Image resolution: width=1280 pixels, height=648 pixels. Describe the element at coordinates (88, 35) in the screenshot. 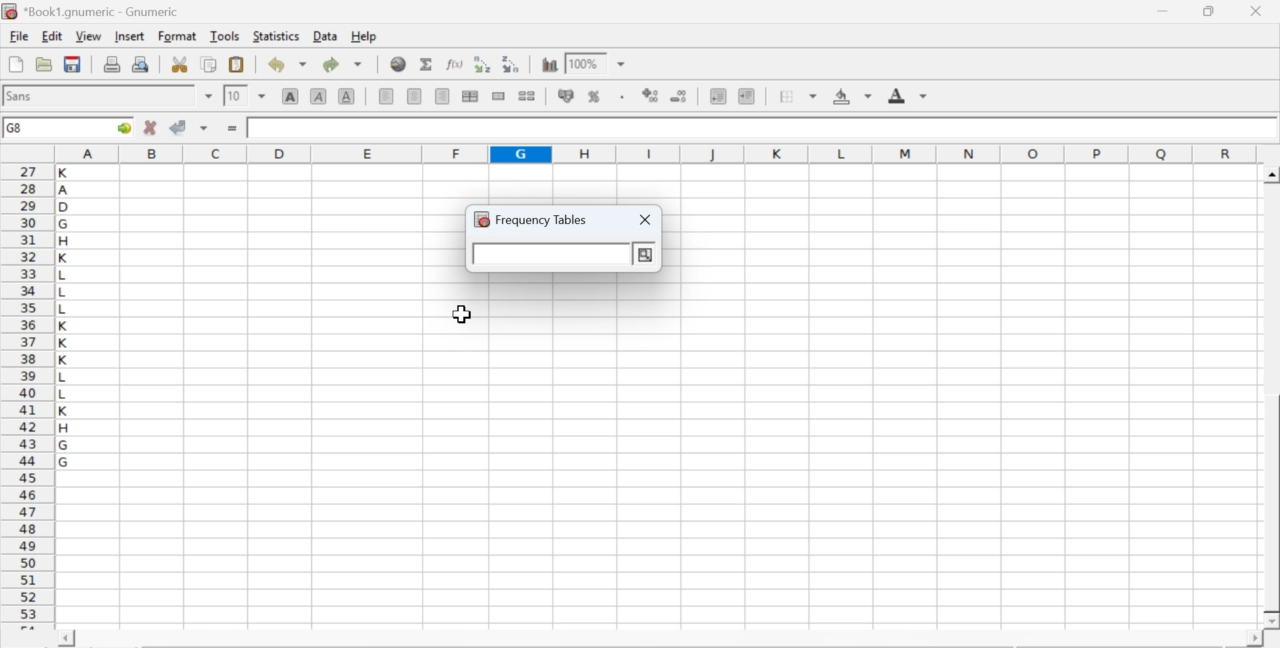

I see `view` at that location.